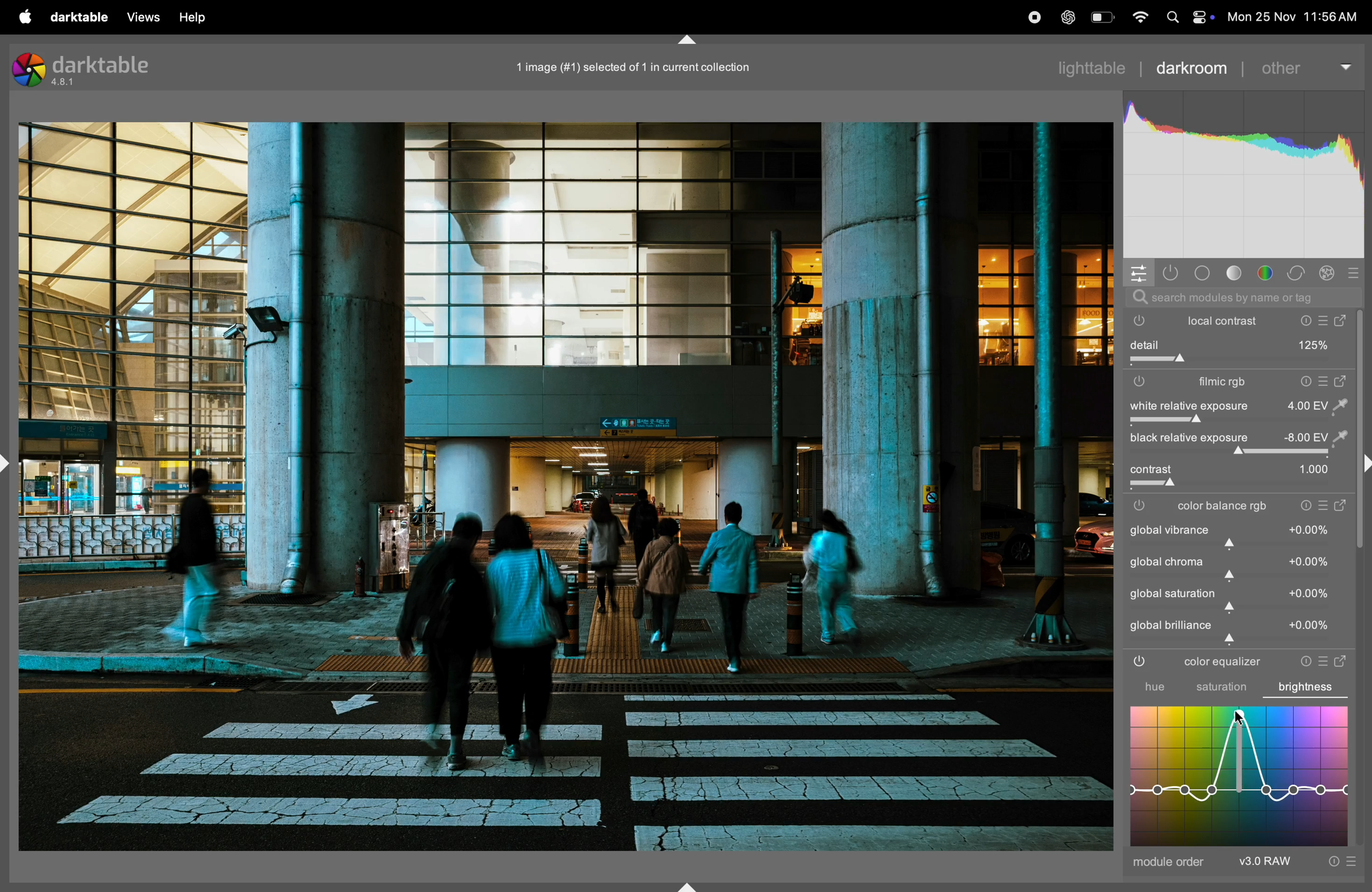  I want to click on filmic rgb switch off, so click(1143, 506).